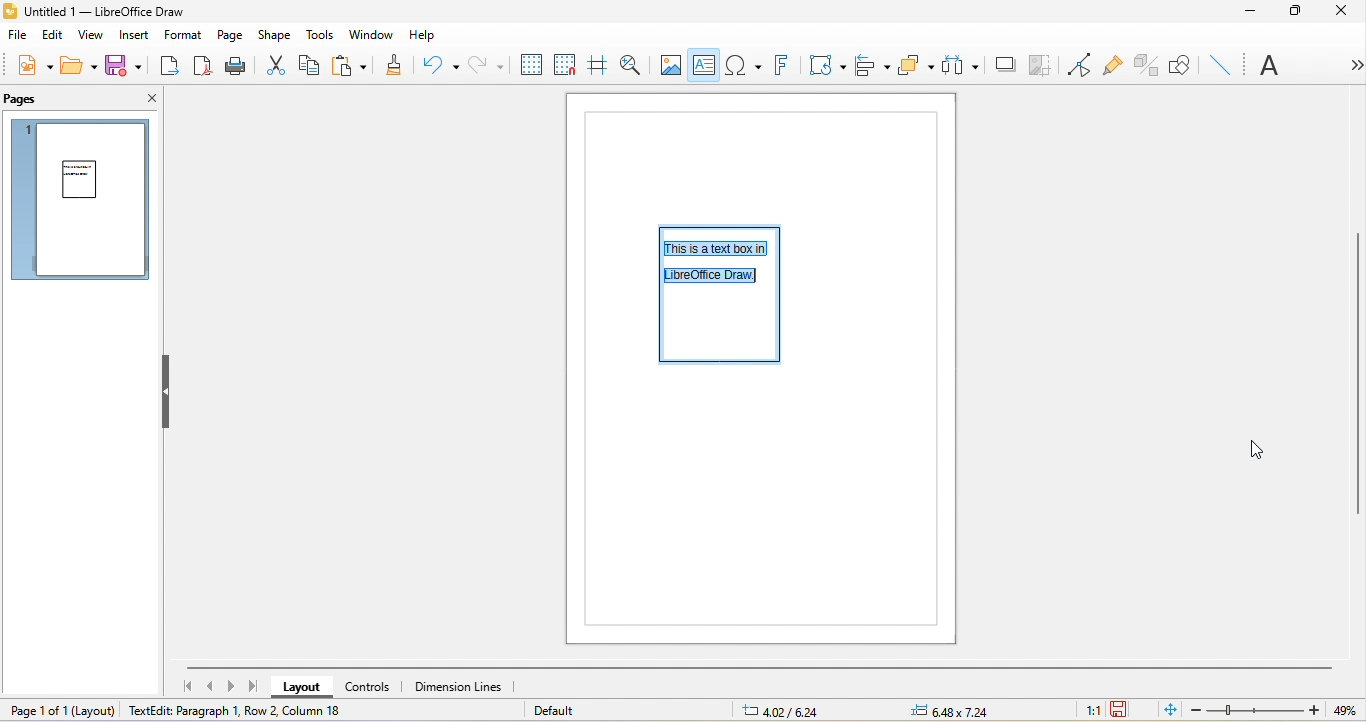 This screenshot has width=1366, height=722. What do you see at coordinates (205, 67) in the screenshot?
I see `export directly as pdf` at bounding box center [205, 67].